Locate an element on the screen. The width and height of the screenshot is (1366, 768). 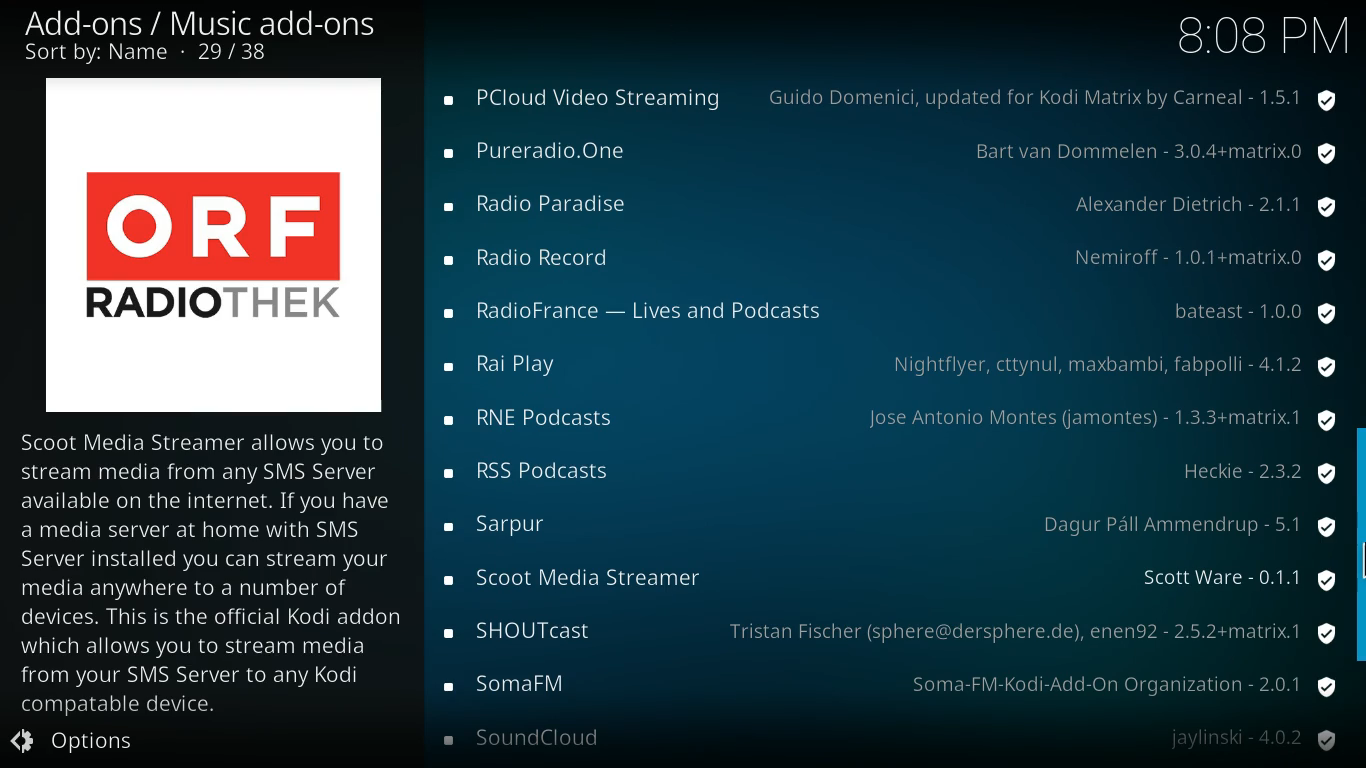
add-on is located at coordinates (530, 261).